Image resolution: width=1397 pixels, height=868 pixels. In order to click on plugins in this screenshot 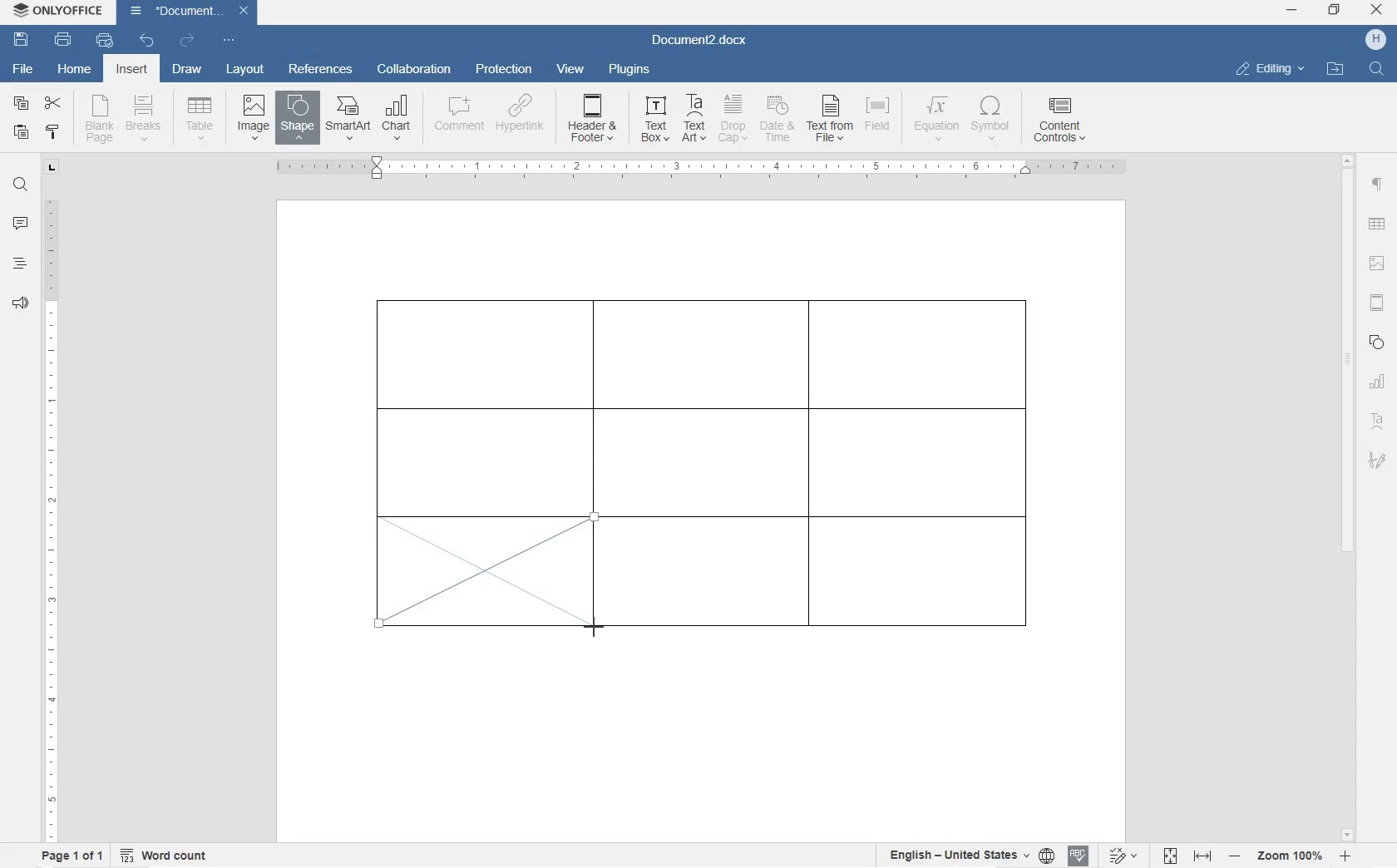, I will do `click(630, 72)`.